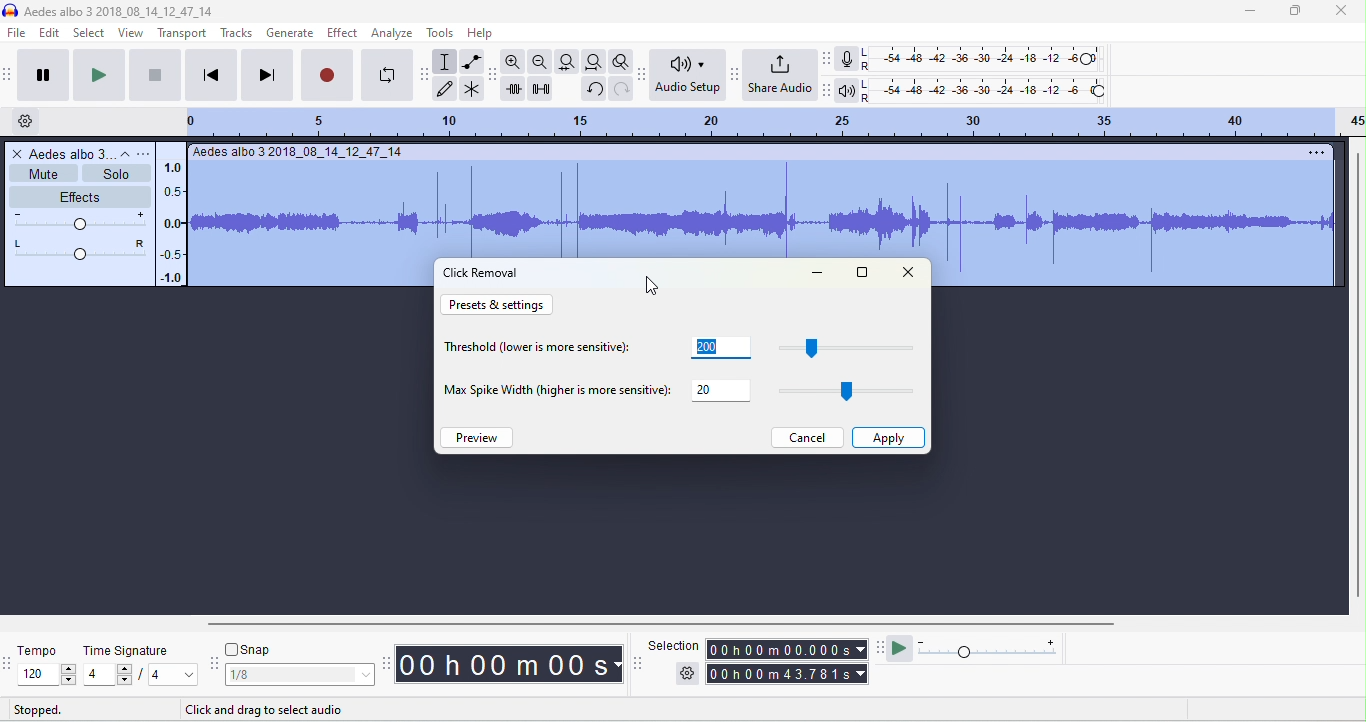 This screenshot has height=722, width=1366. What do you see at coordinates (289, 33) in the screenshot?
I see `generate` at bounding box center [289, 33].